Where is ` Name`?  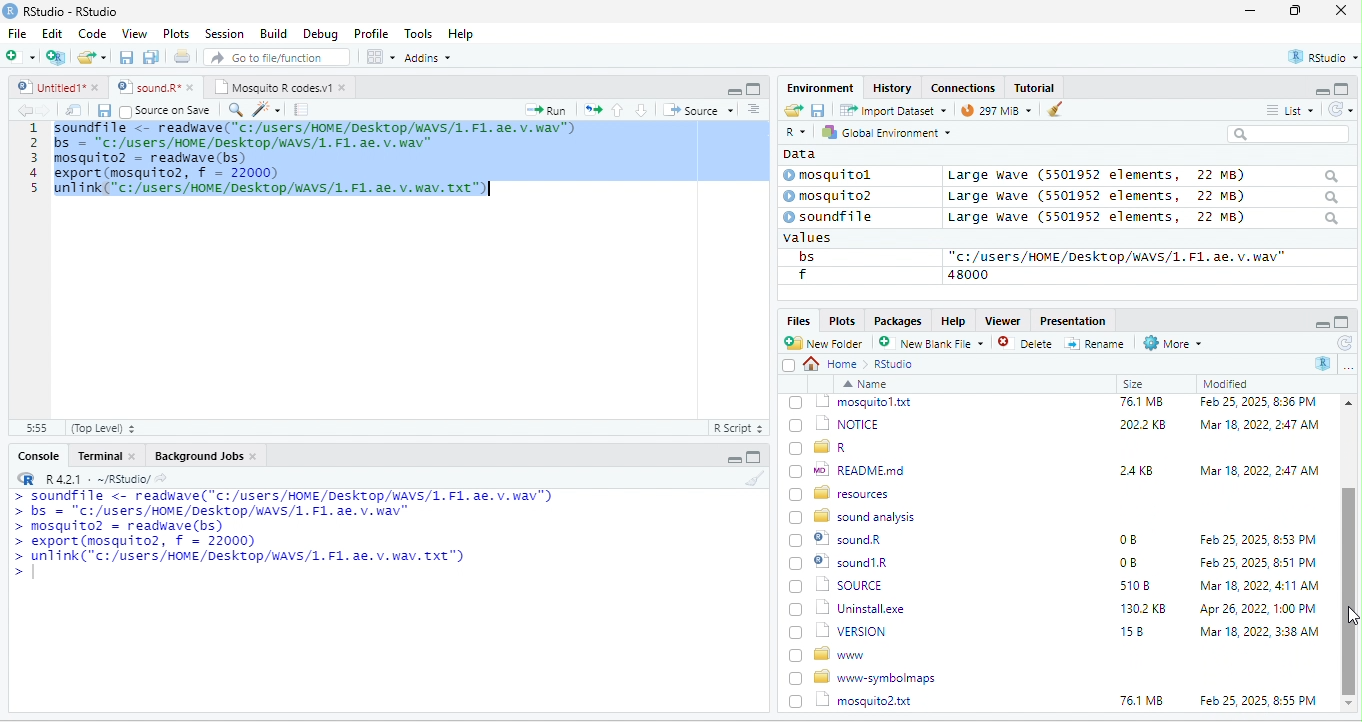  Name is located at coordinates (869, 386).